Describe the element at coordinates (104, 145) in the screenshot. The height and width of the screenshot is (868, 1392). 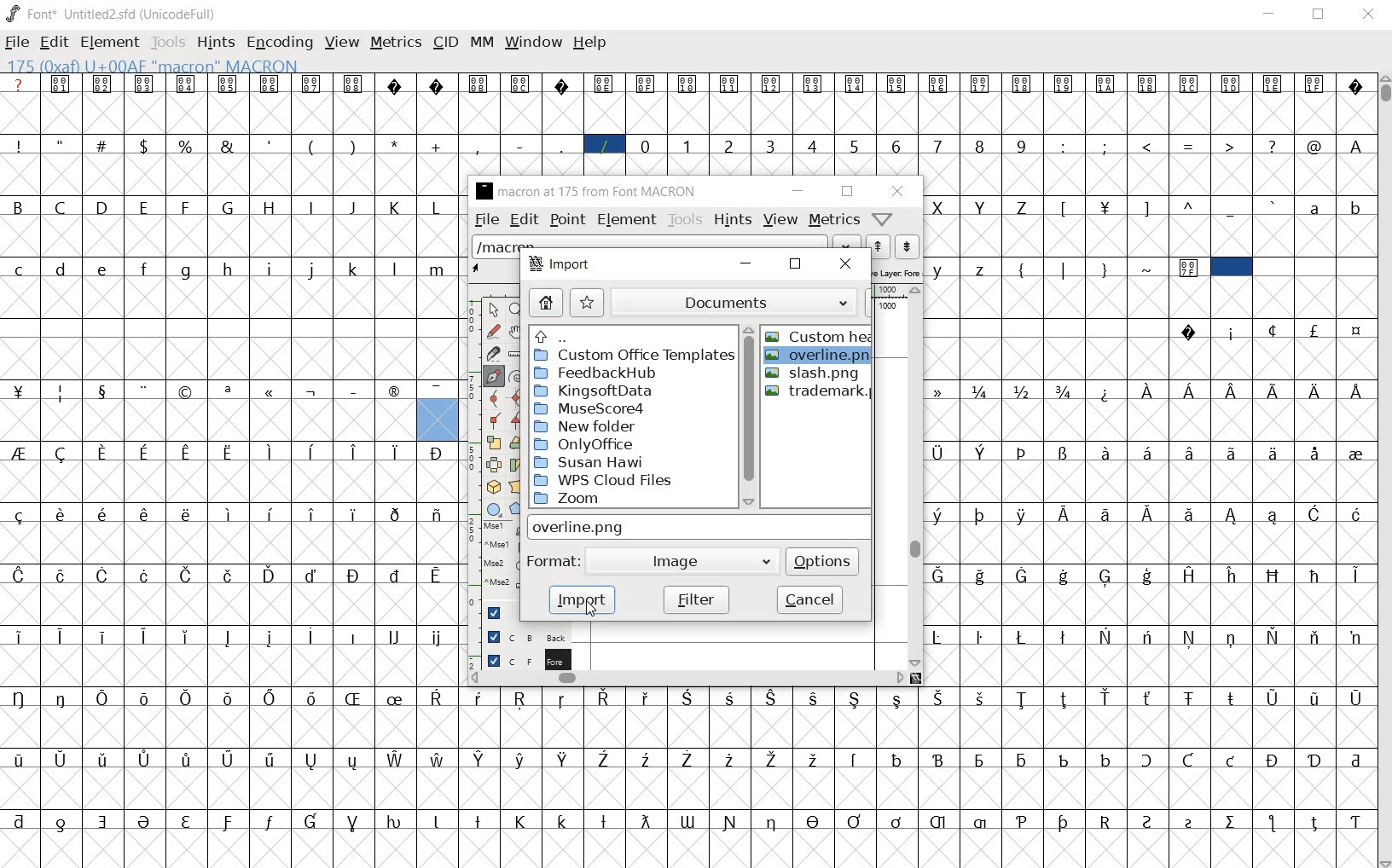
I see `#` at that location.